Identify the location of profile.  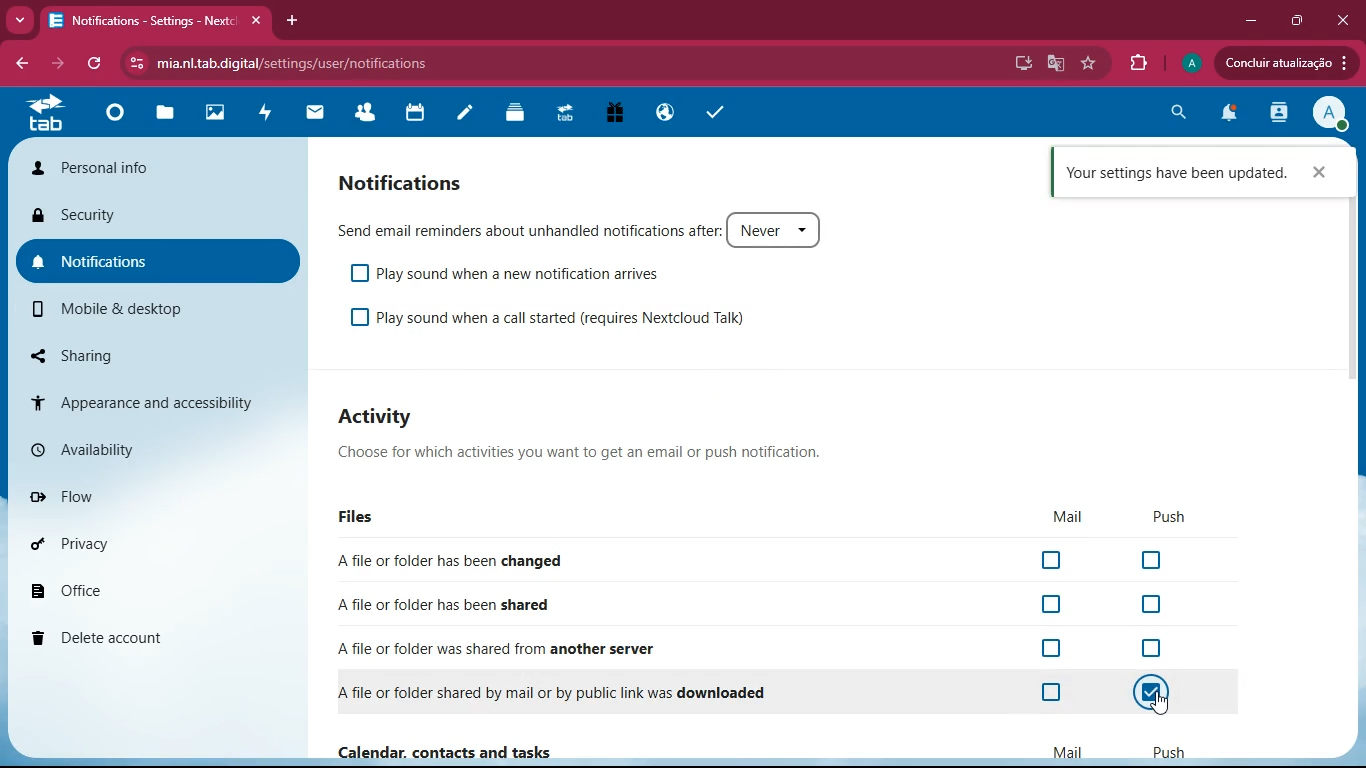
(1329, 114).